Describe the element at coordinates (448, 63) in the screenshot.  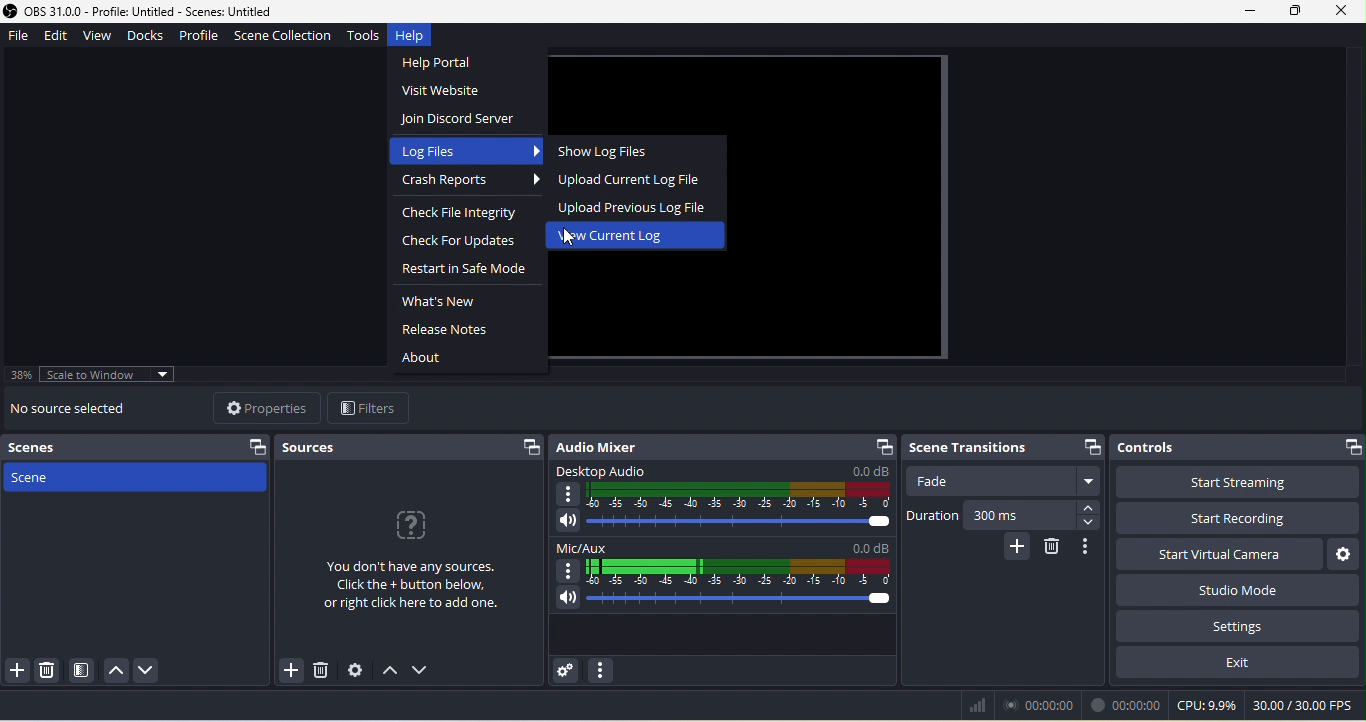
I see `help portal` at that location.